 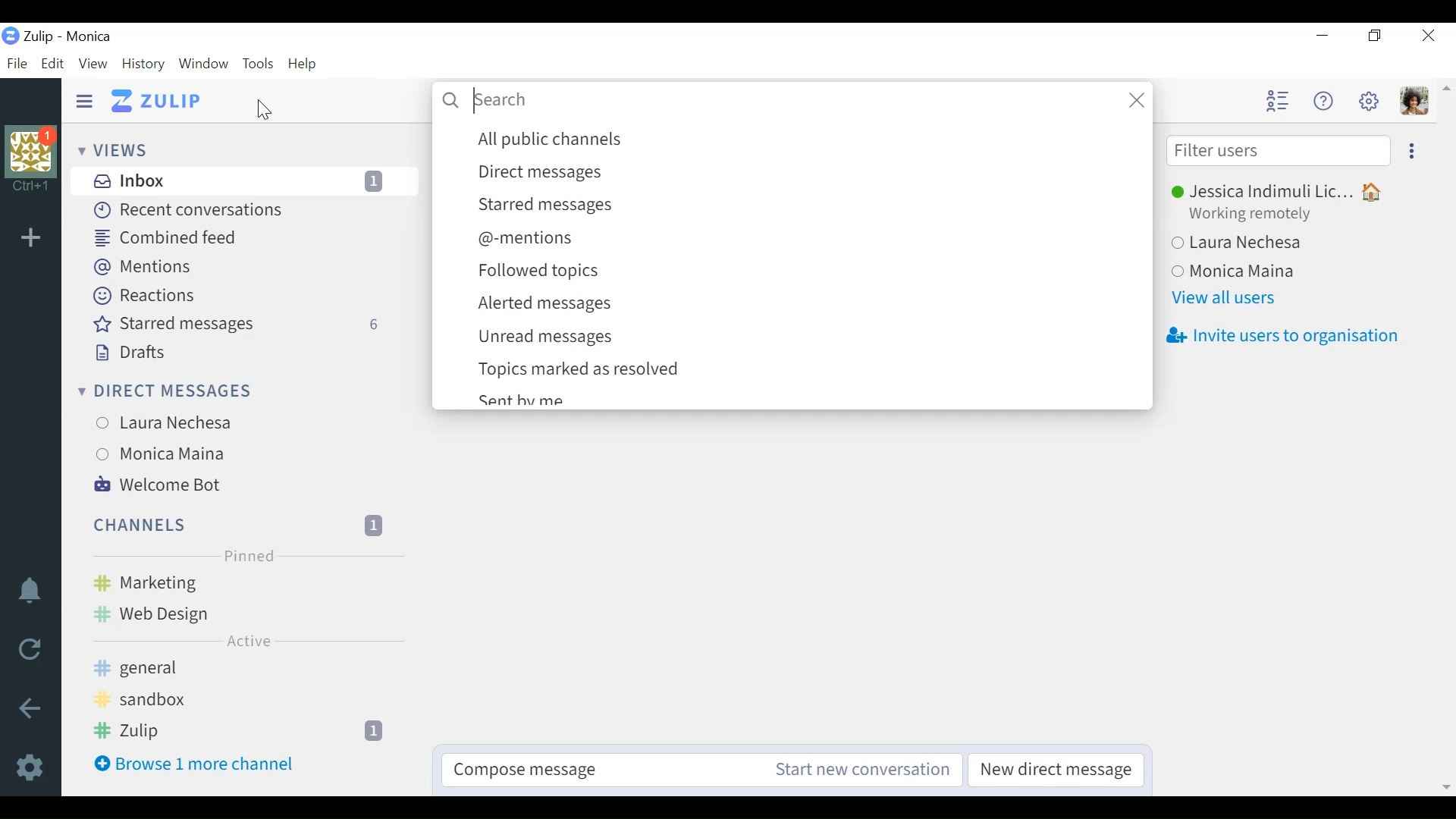 What do you see at coordinates (263, 111) in the screenshot?
I see `Cursor` at bounding box center [263, 111].